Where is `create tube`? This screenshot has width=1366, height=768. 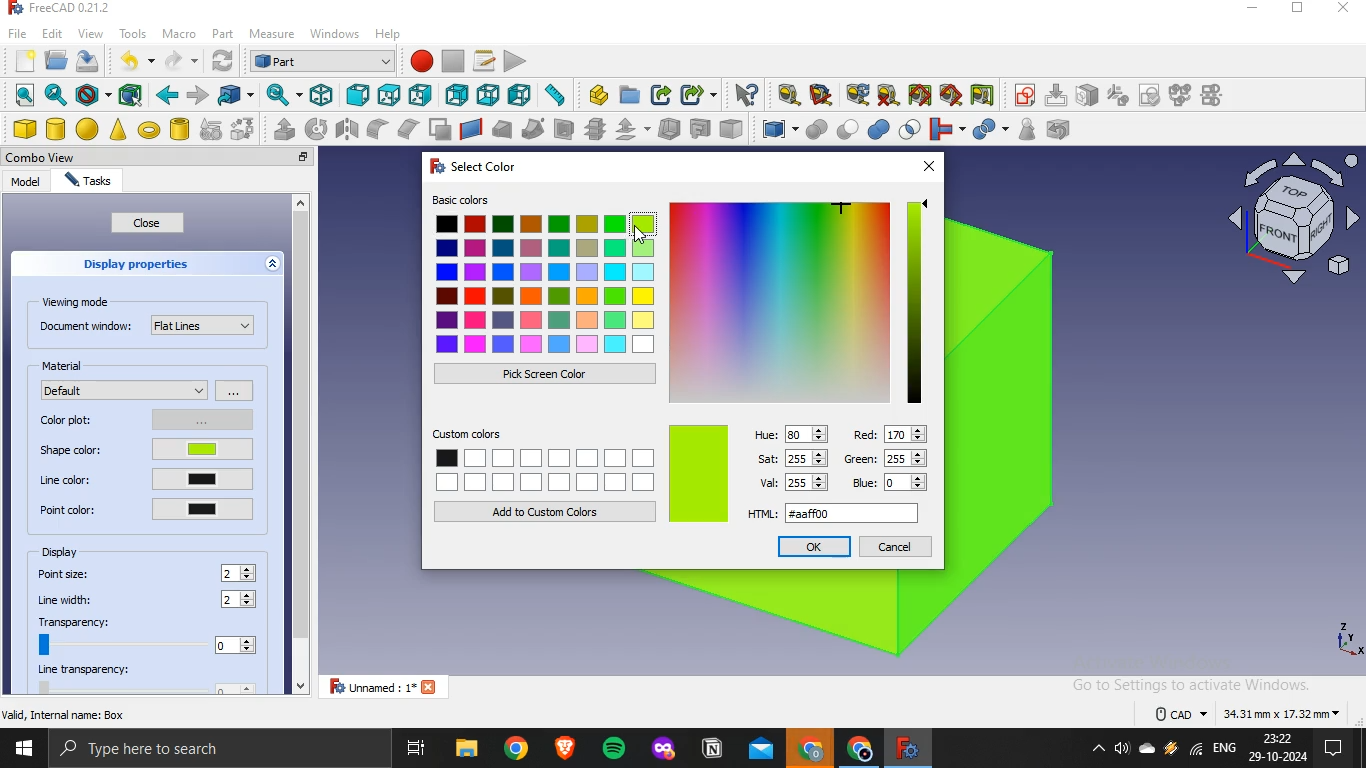
create tube is located at coordinates (179, 129).